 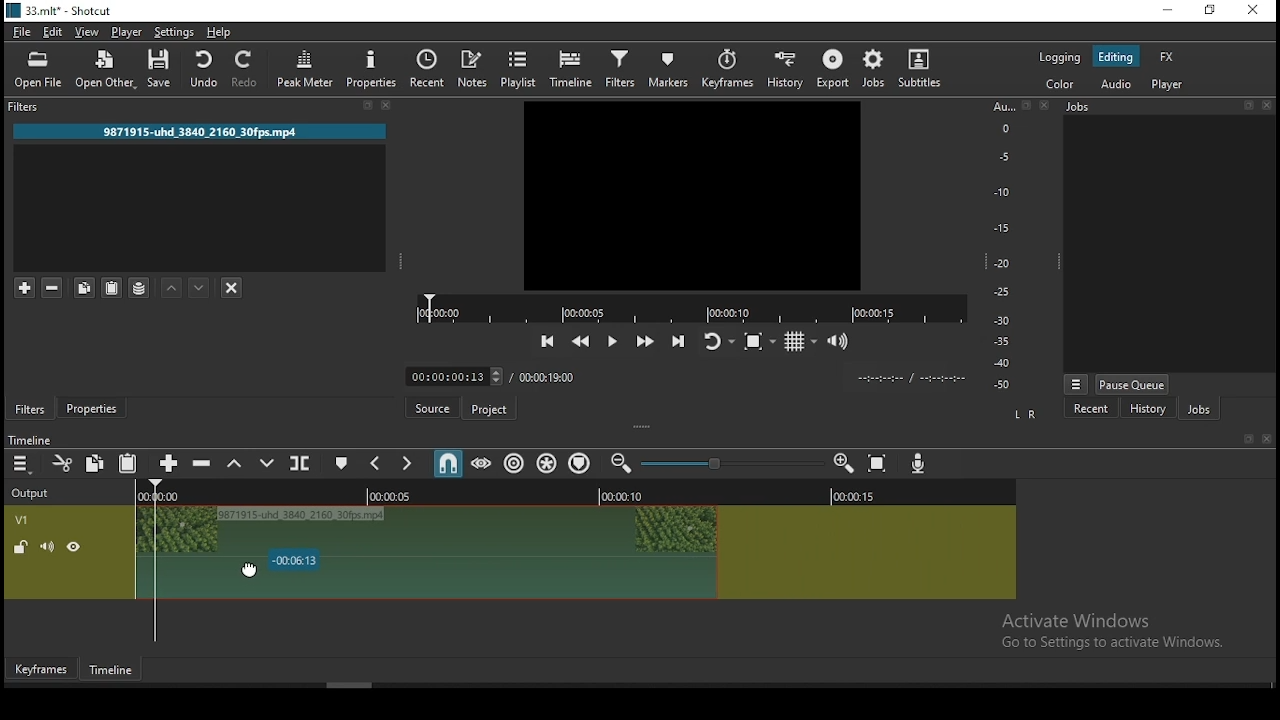 What do you see at coordinates (305, 70) in the screenshot?
I see `peak meter` at bounding box center [305, 70].